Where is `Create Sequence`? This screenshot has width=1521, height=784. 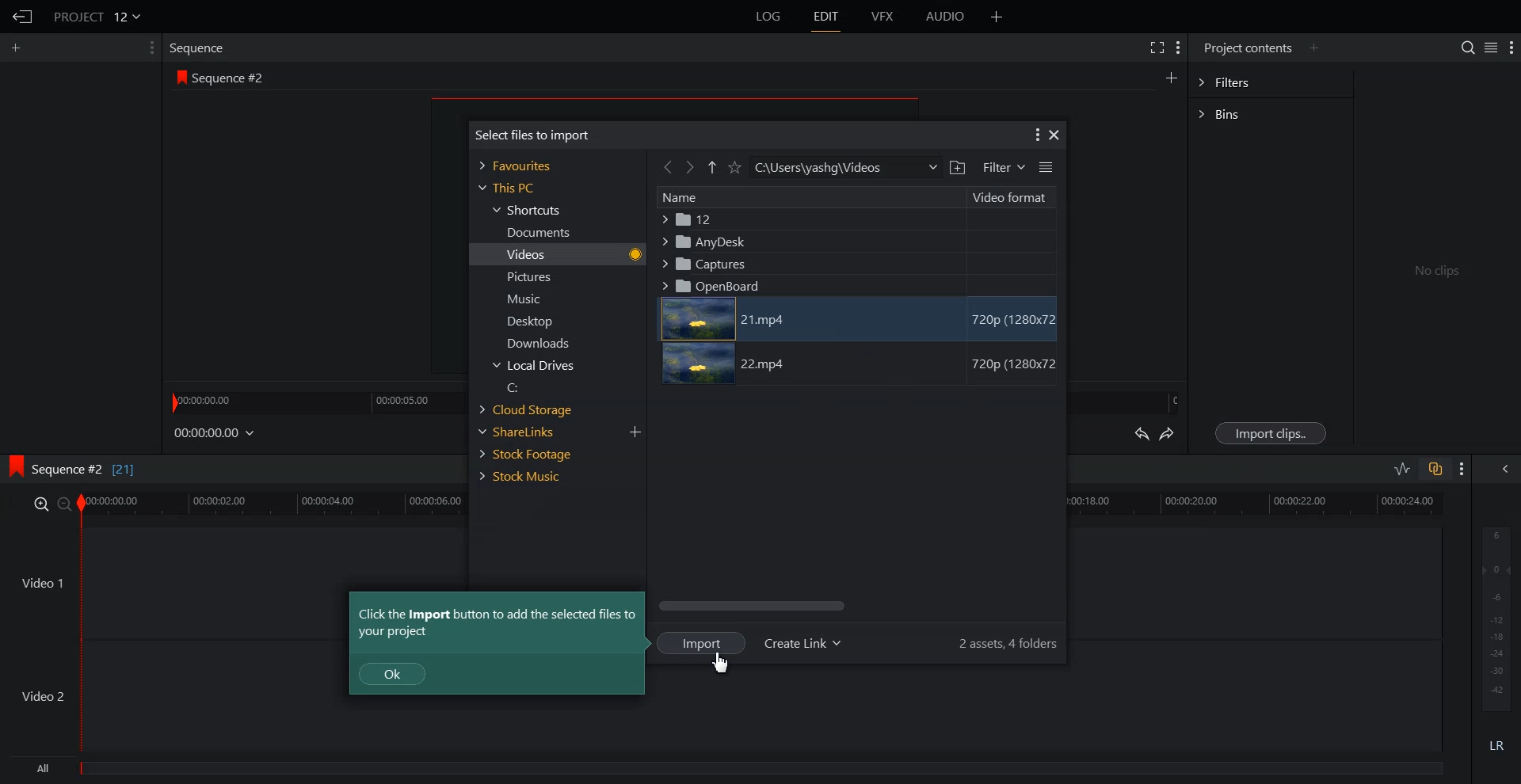
Create Sequence is located at coordinates (1170, 78).